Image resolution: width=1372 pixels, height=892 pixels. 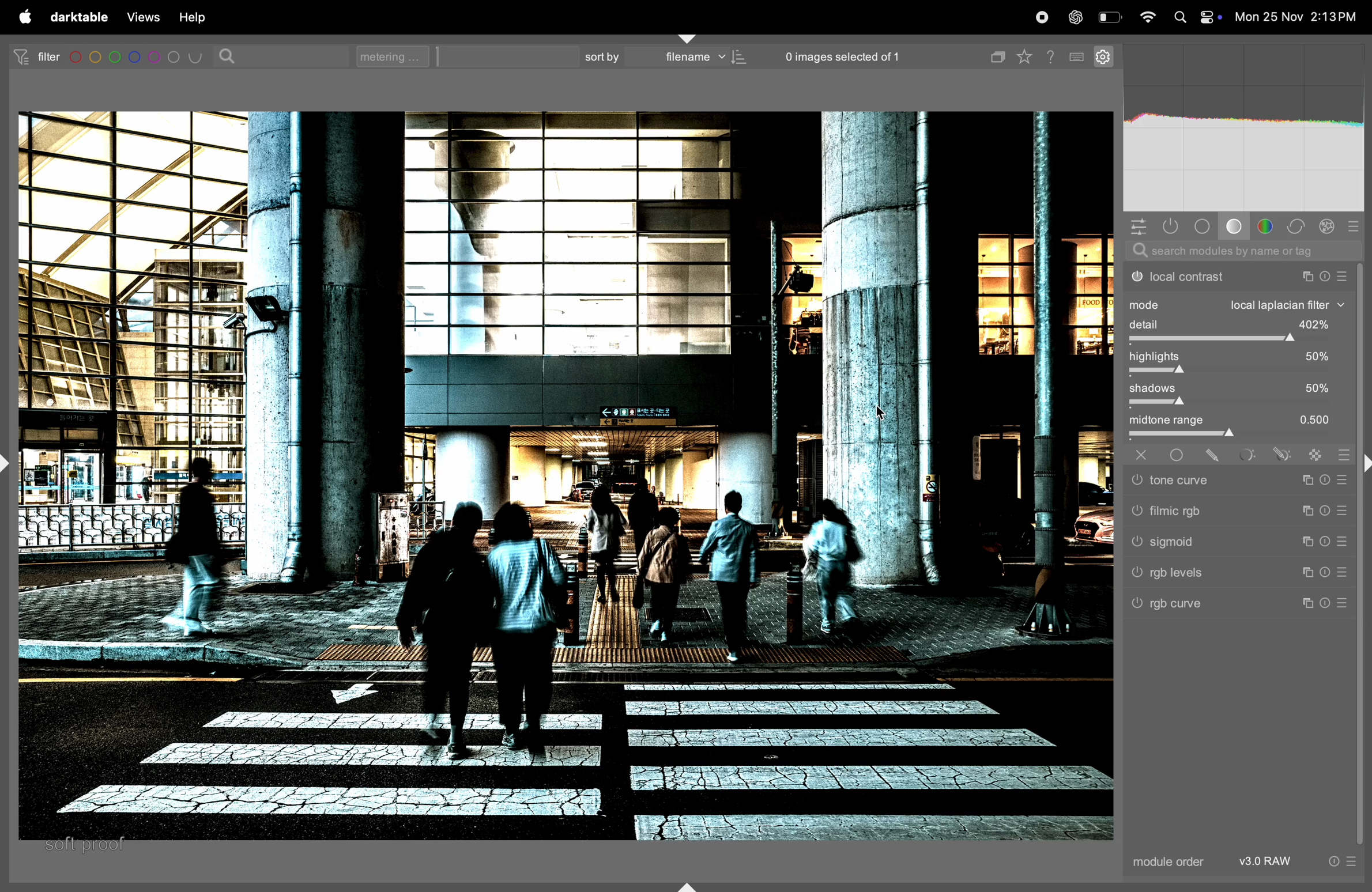 What do you see at coordinates (32, 56) in the screenshot?
I see `filter` at bounding box center [32, 56].